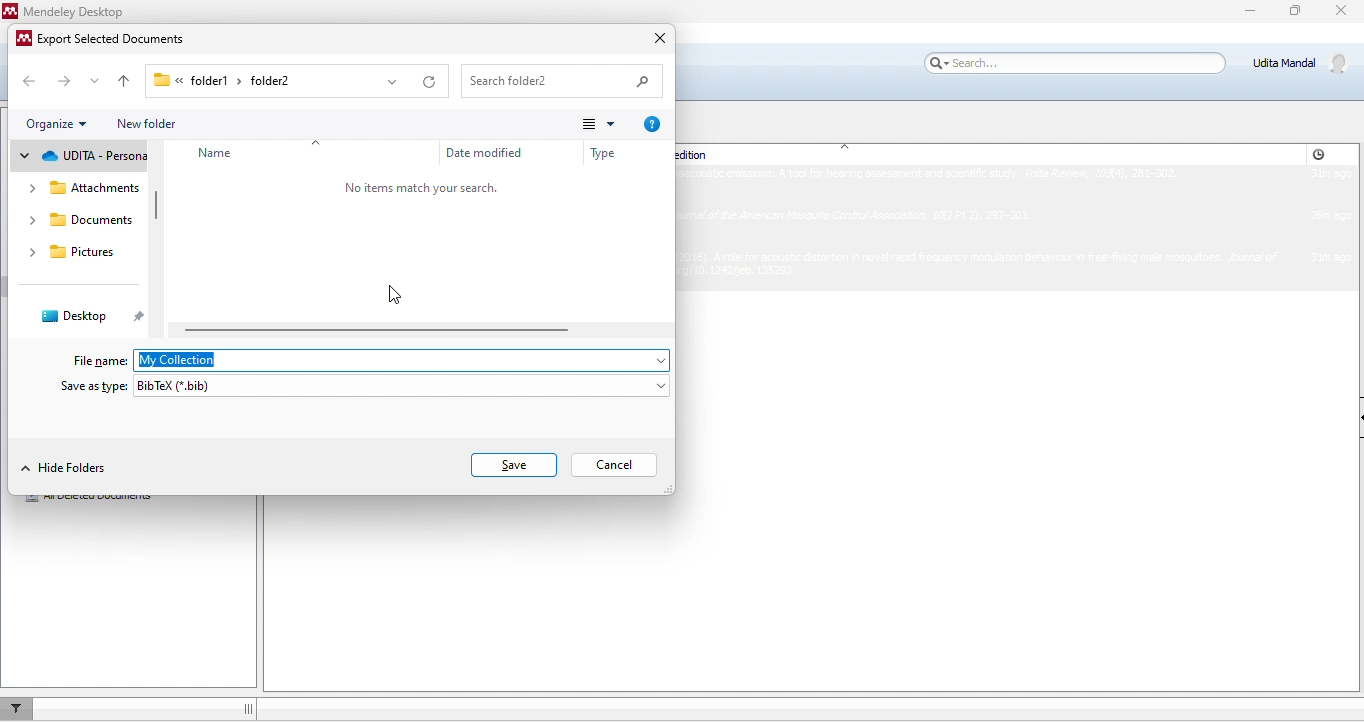 The image size is (1364, 722). I want to click on save, so click(510, 464).